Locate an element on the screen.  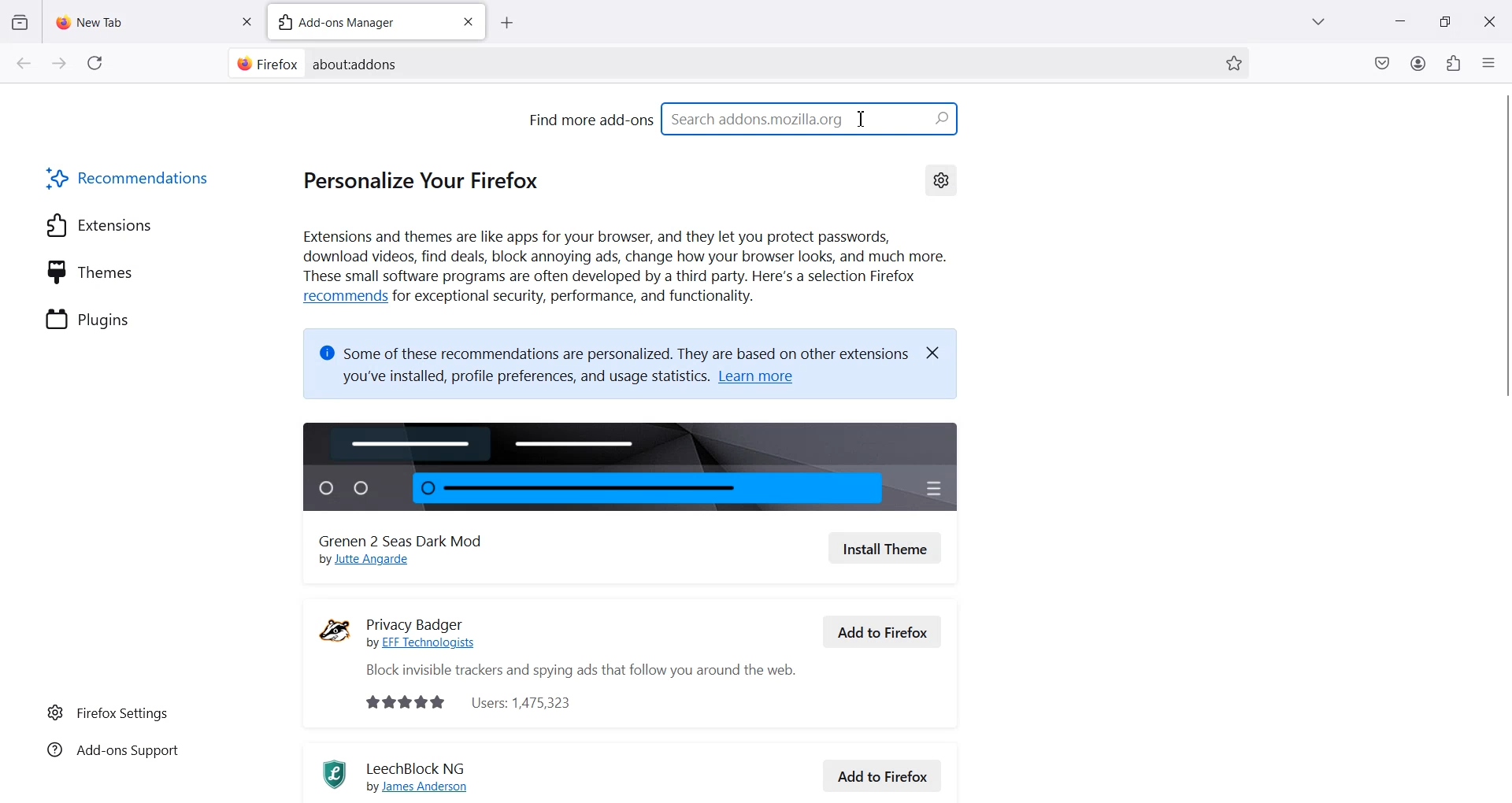
Plugins is located at coordinates (90, 317).